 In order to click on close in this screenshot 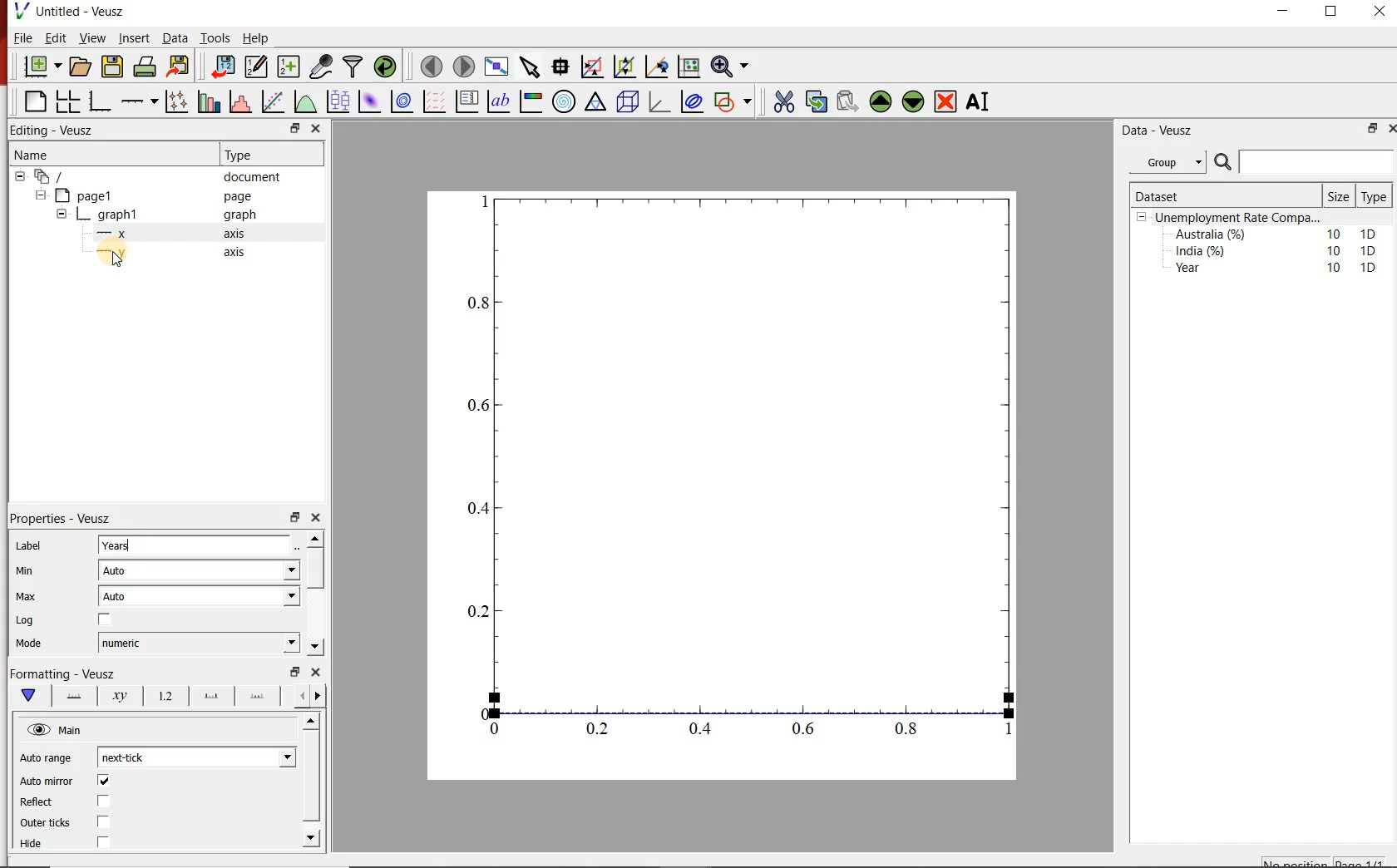, I will do `click(317, 128)`.